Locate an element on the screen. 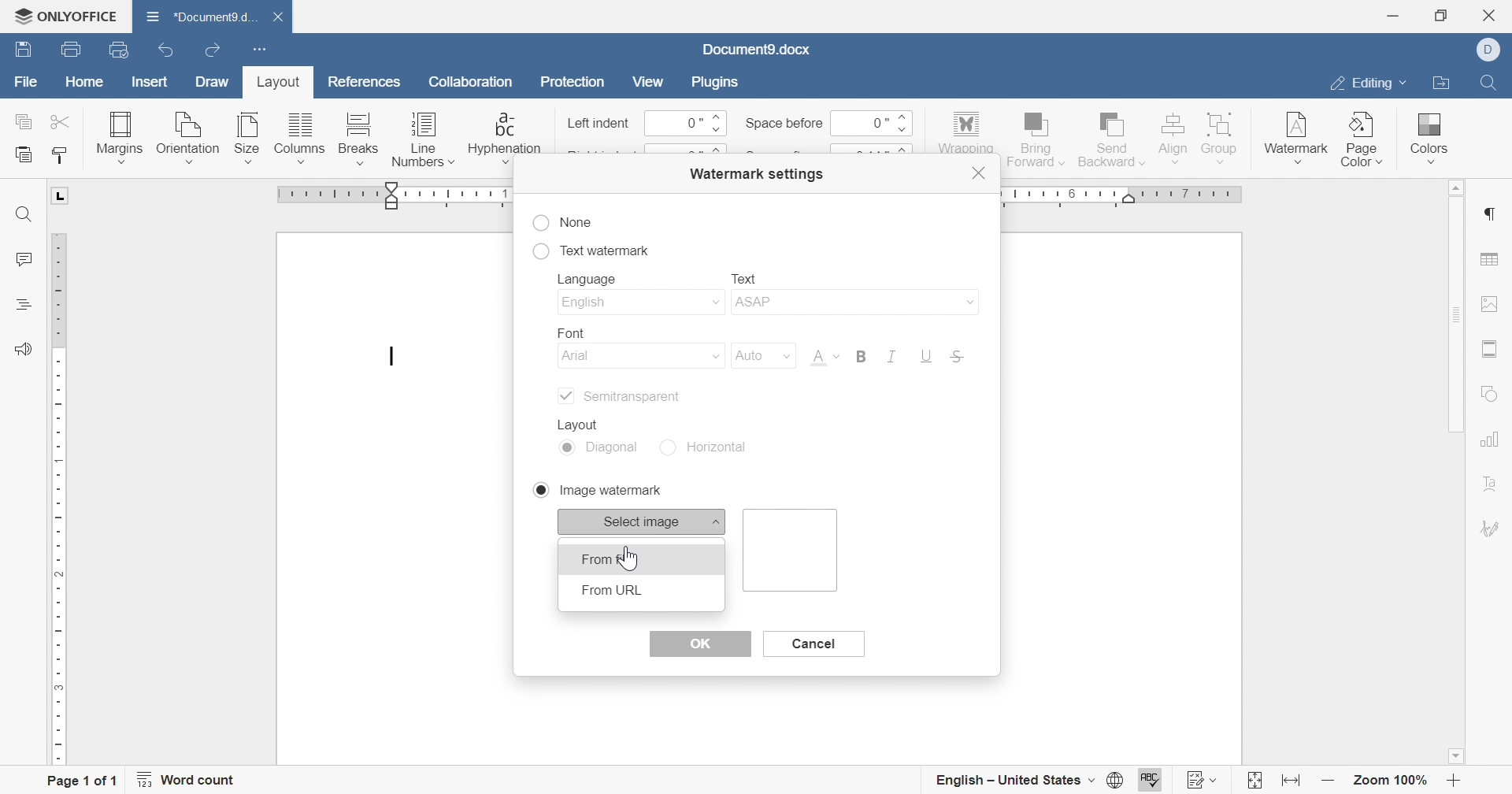 Image resolution: width=1512 pixels, height=794 pixels. cancel is located at coordinates (811, 643).